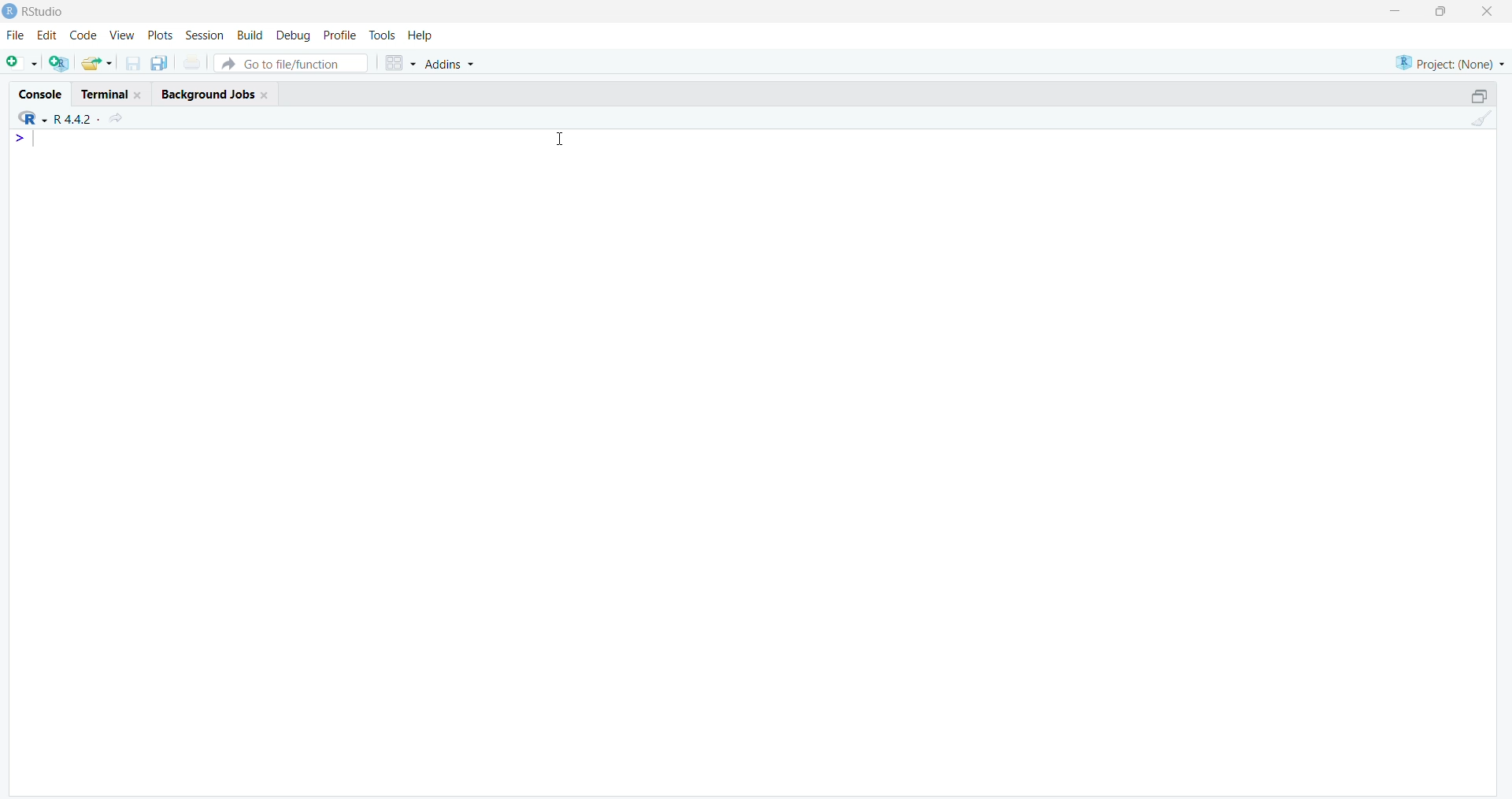 The width and height of the screenshot is (1512, 799). What do you see at coordinates (22, 61) in the screenshot?
I see `New File` at bounding box center [22, 61].